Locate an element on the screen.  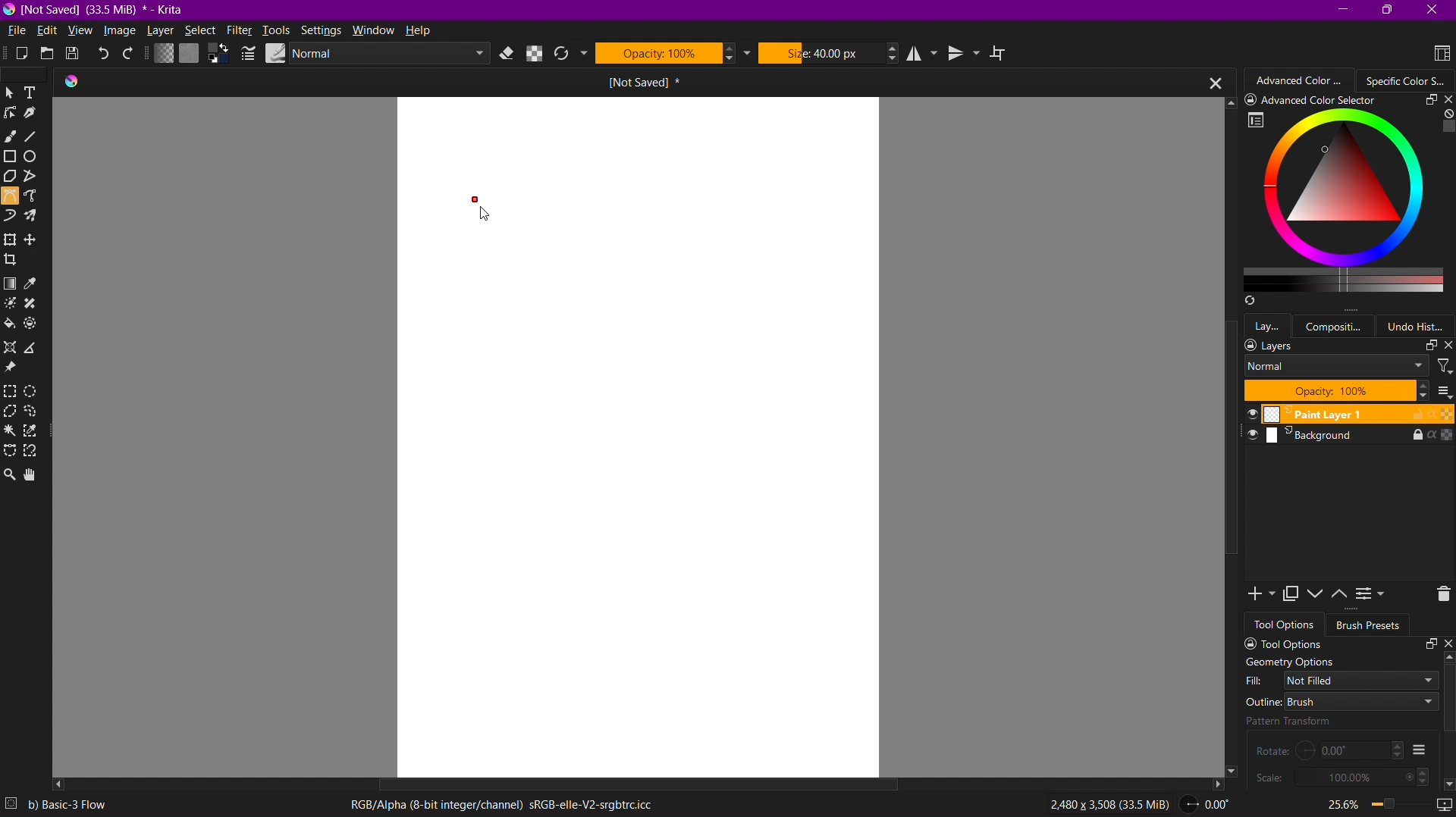
Redo is located at coordinates (130, 55).